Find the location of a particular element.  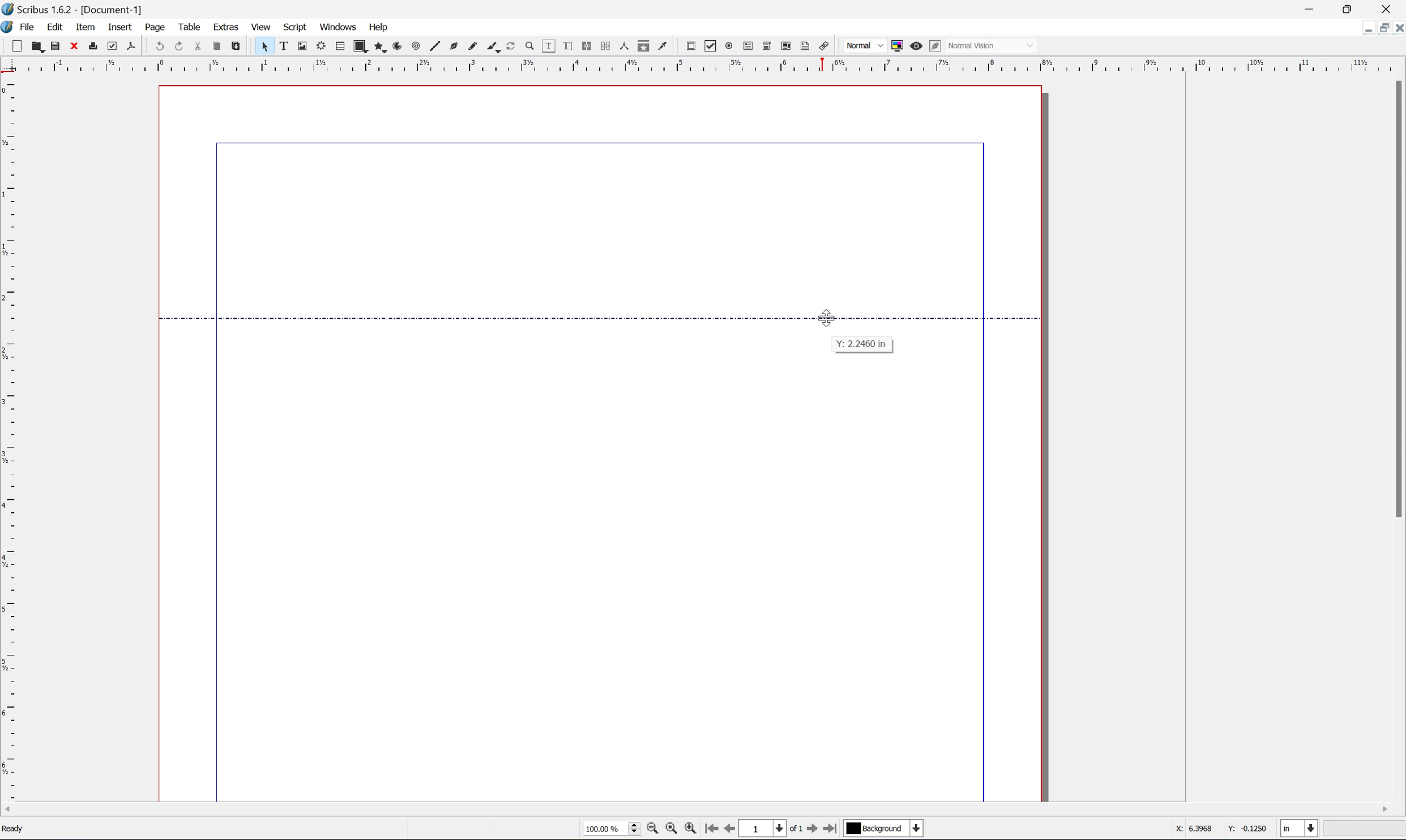

go to first page is located at coordinates (713, 830).